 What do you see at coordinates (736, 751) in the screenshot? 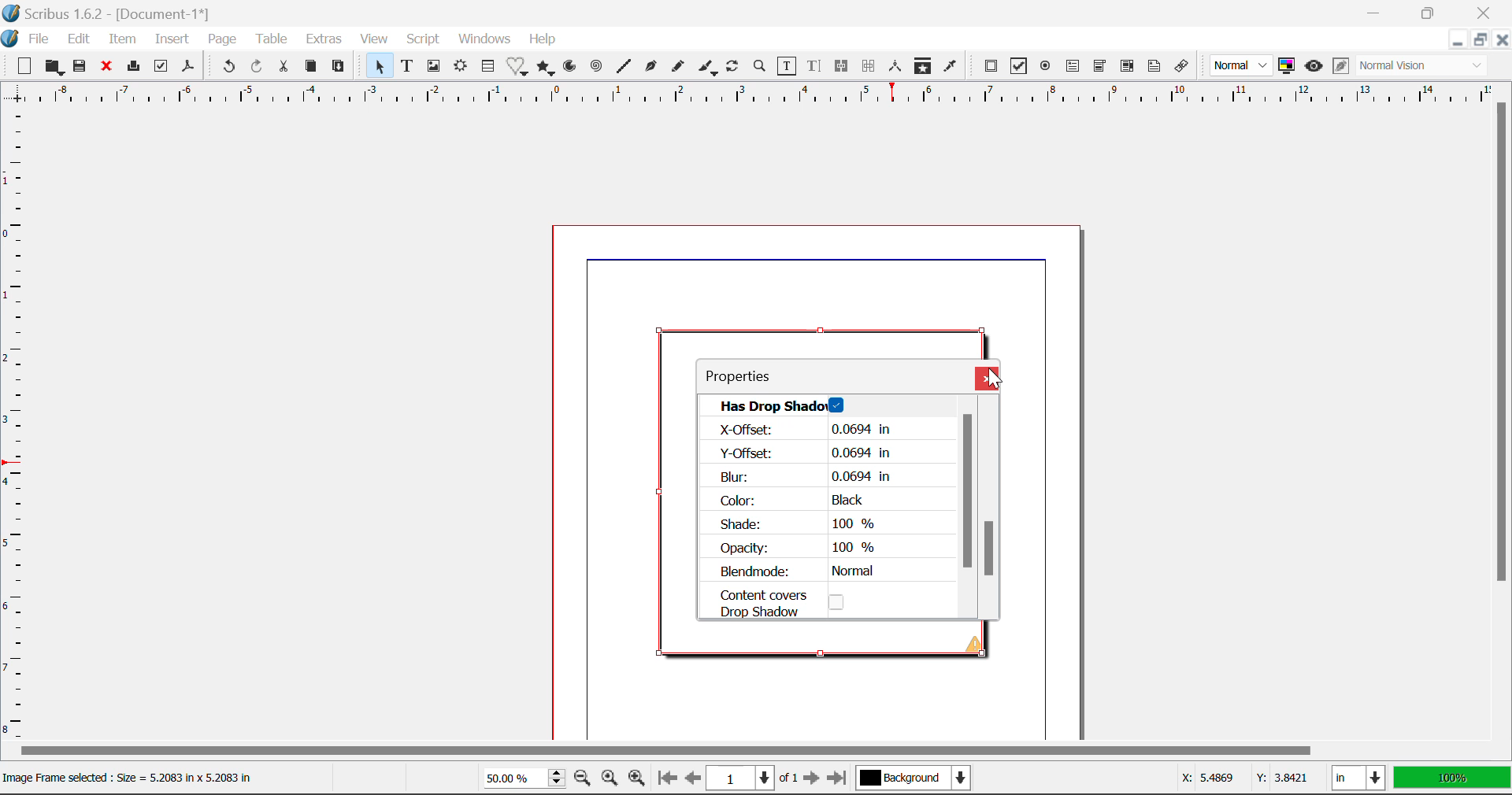
I see `Horizontal Scroll Bar` at bounding box center [736, 751].